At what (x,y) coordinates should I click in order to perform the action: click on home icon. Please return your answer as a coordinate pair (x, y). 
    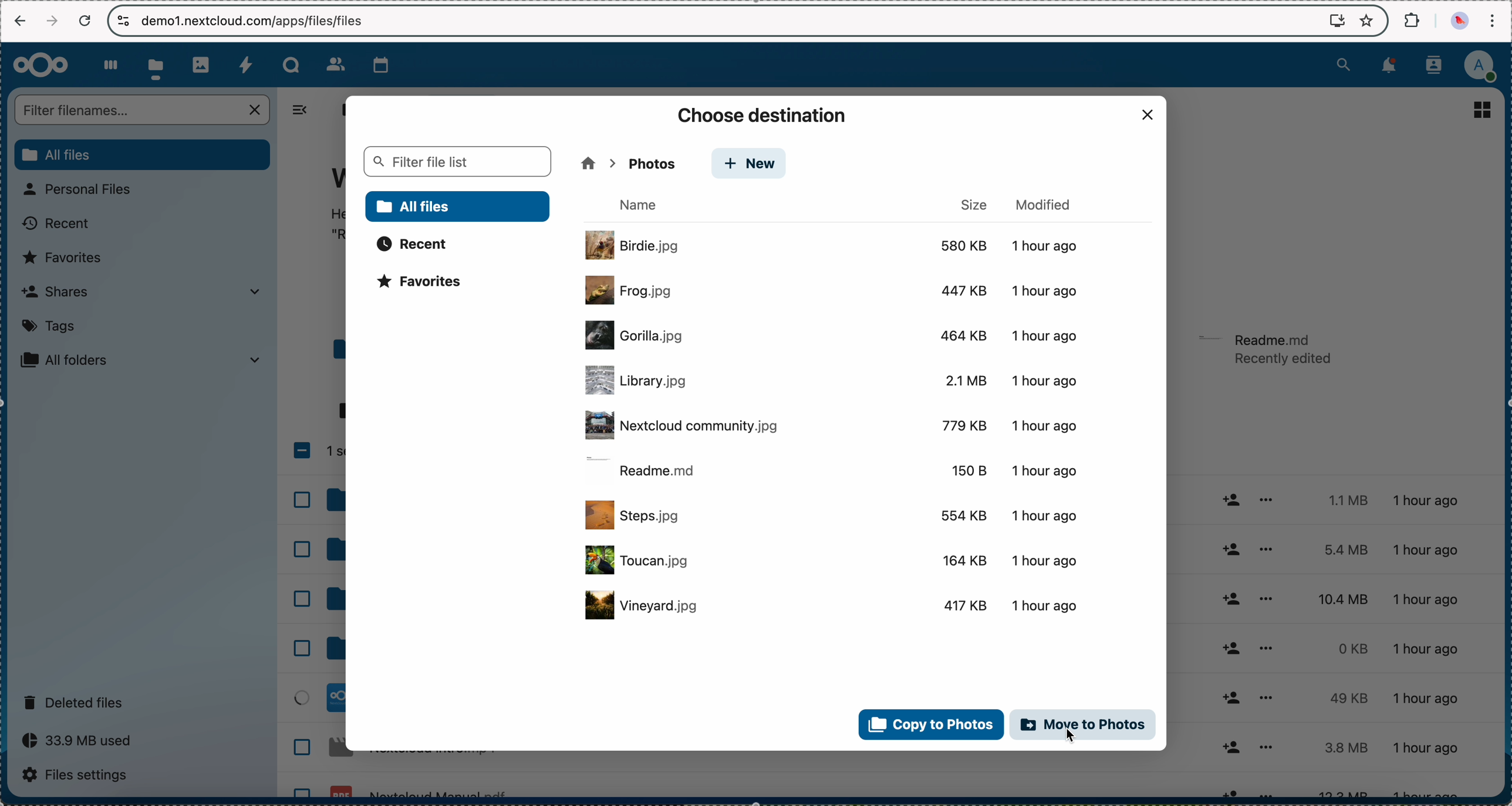
    Looking at the image, I should click on (588, 163).